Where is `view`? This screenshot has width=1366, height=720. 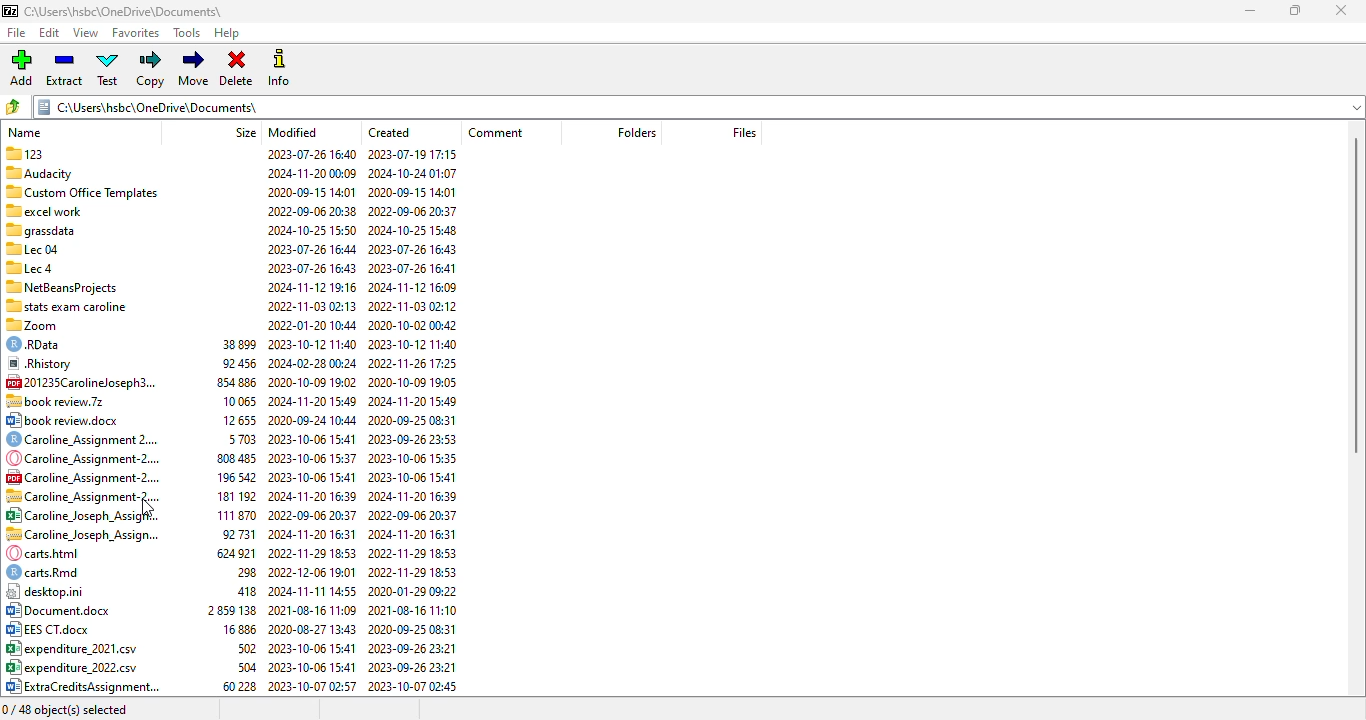
view is located at coordinates (86, 33).